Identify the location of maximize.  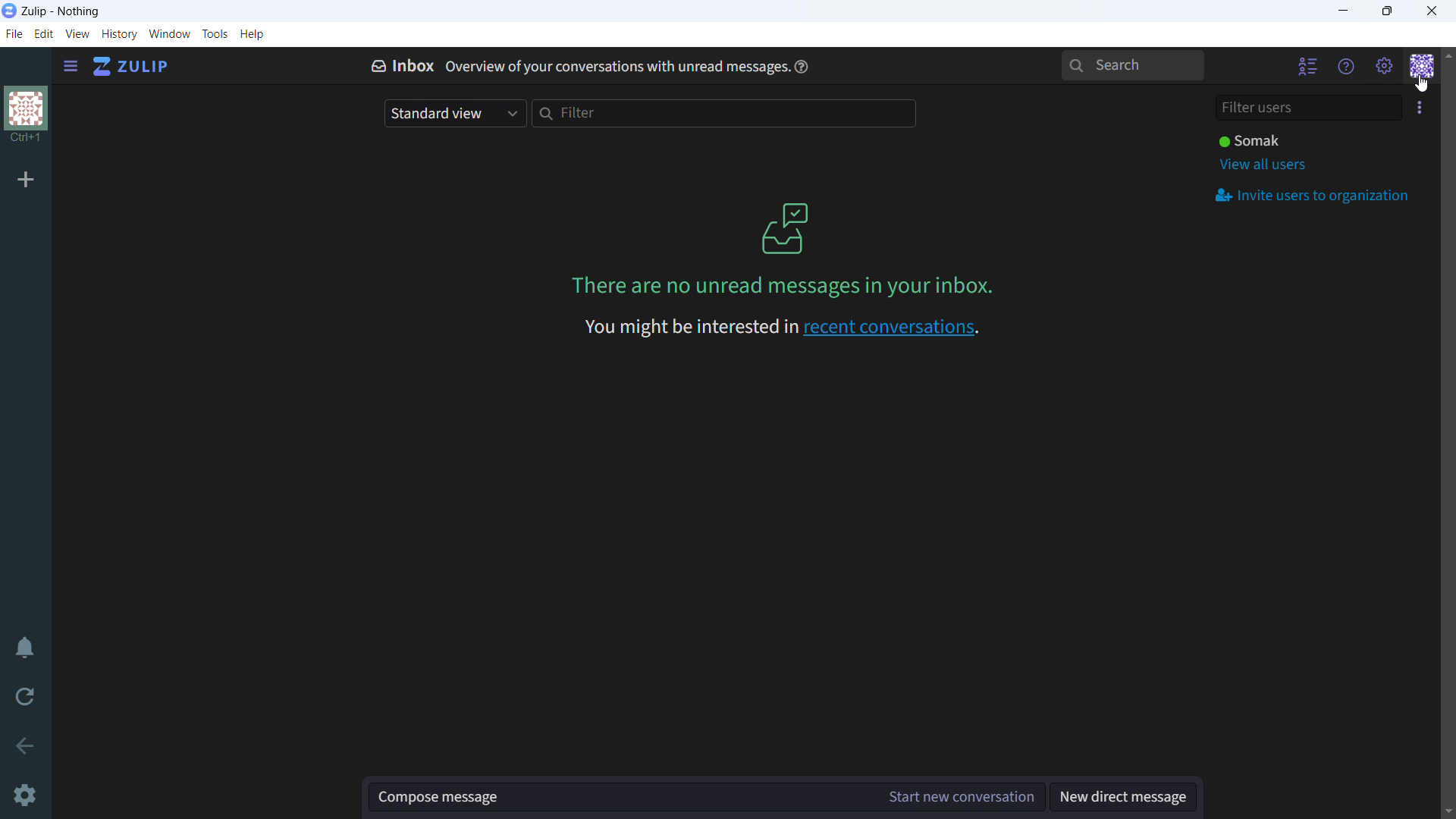
(1386, 11).